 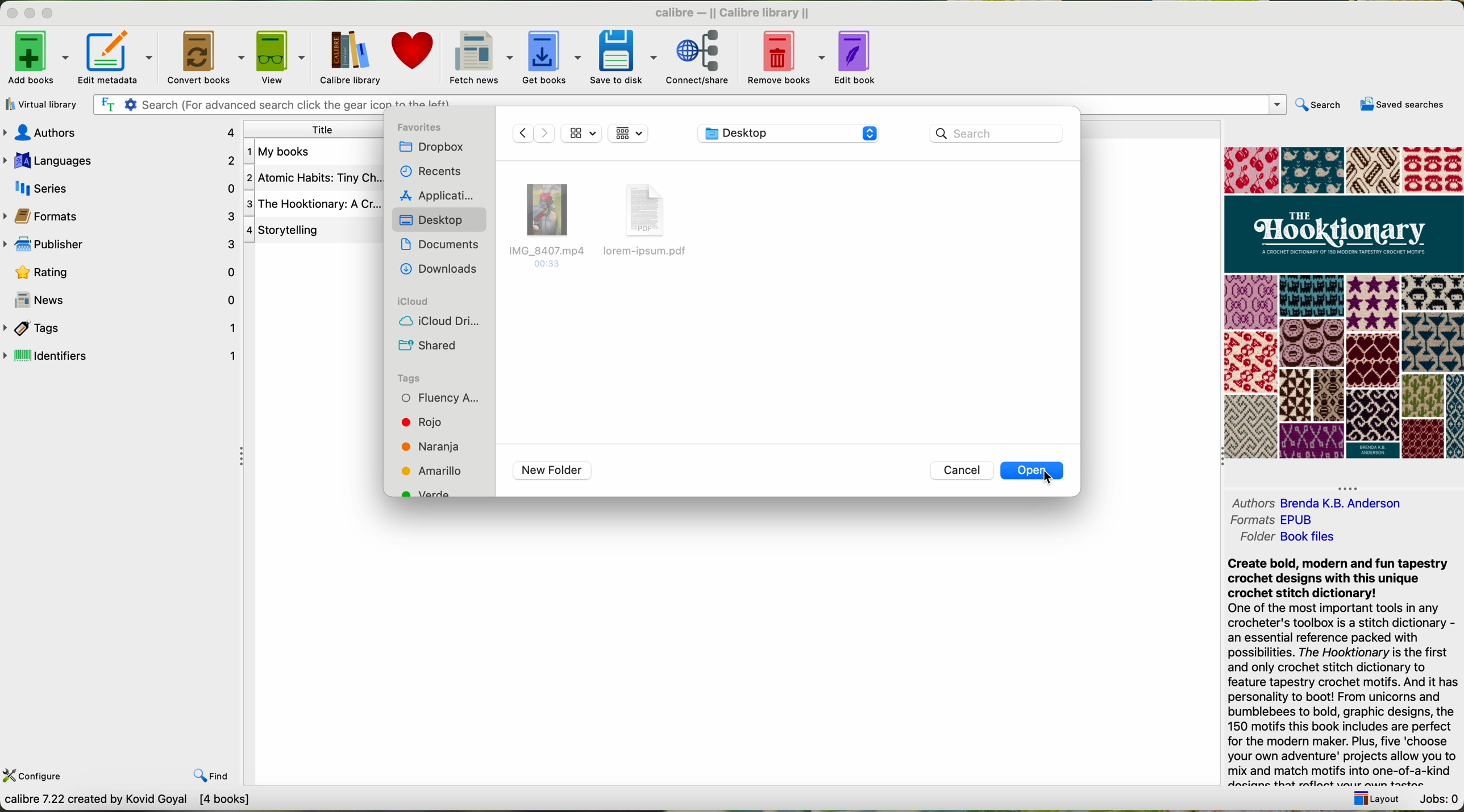 I want to click on 4 Stroy Telling, so click(x=289, y=232).